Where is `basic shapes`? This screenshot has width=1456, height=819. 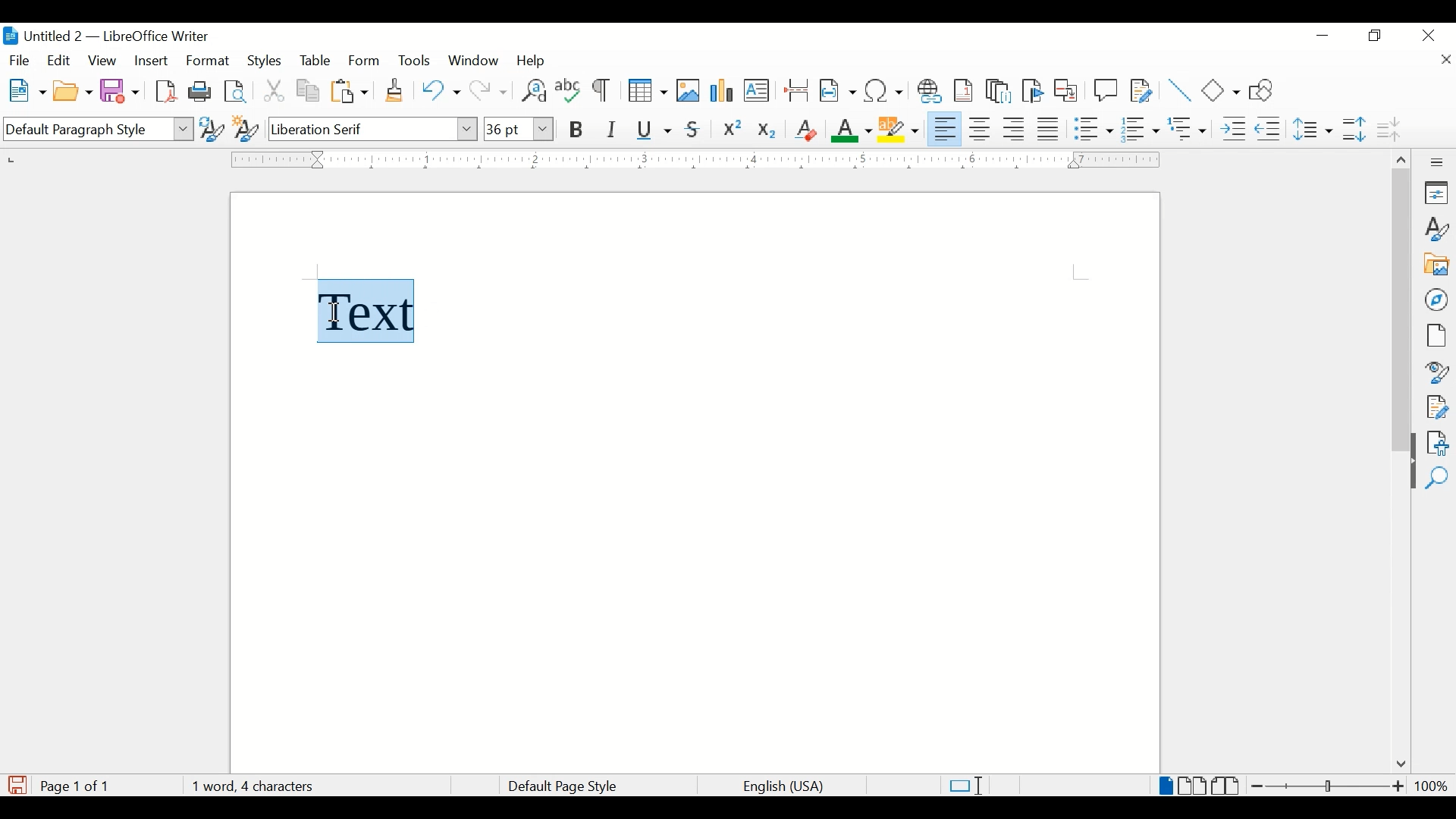 basic shapes is located at coordinates (1222, 90).